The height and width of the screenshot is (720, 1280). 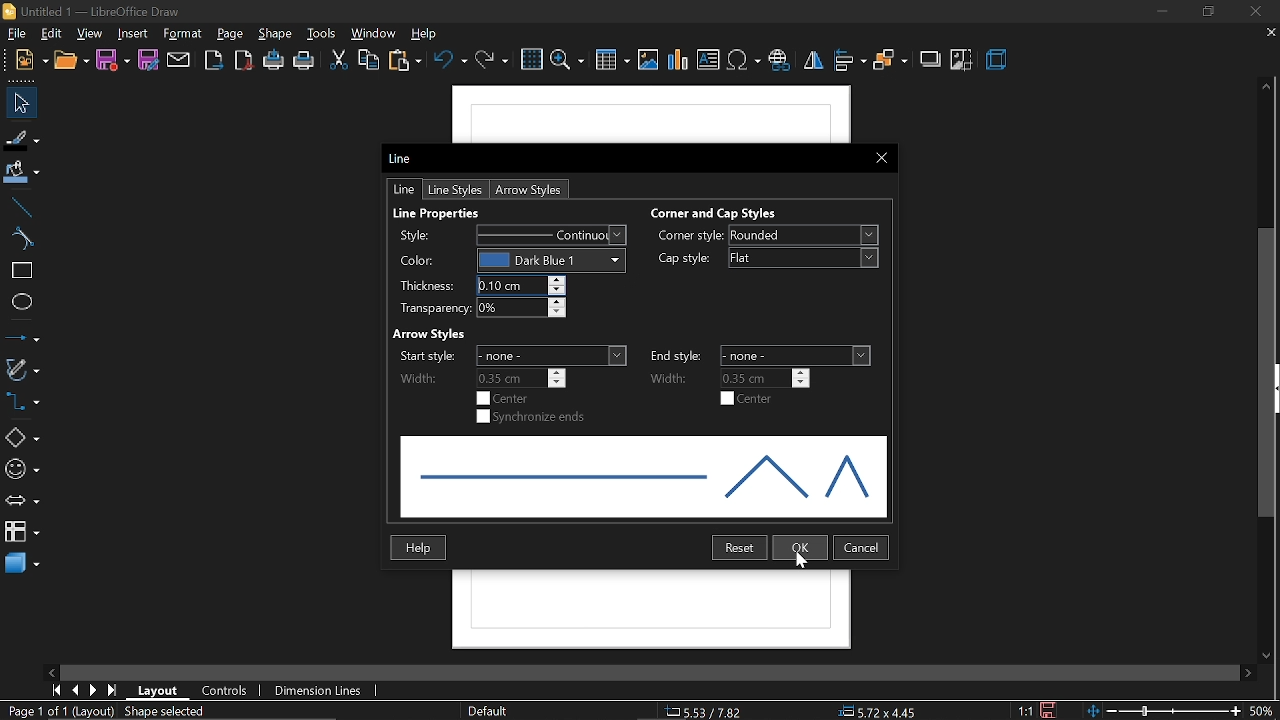 I want to click on Cursor, so click(x=802, y=562).